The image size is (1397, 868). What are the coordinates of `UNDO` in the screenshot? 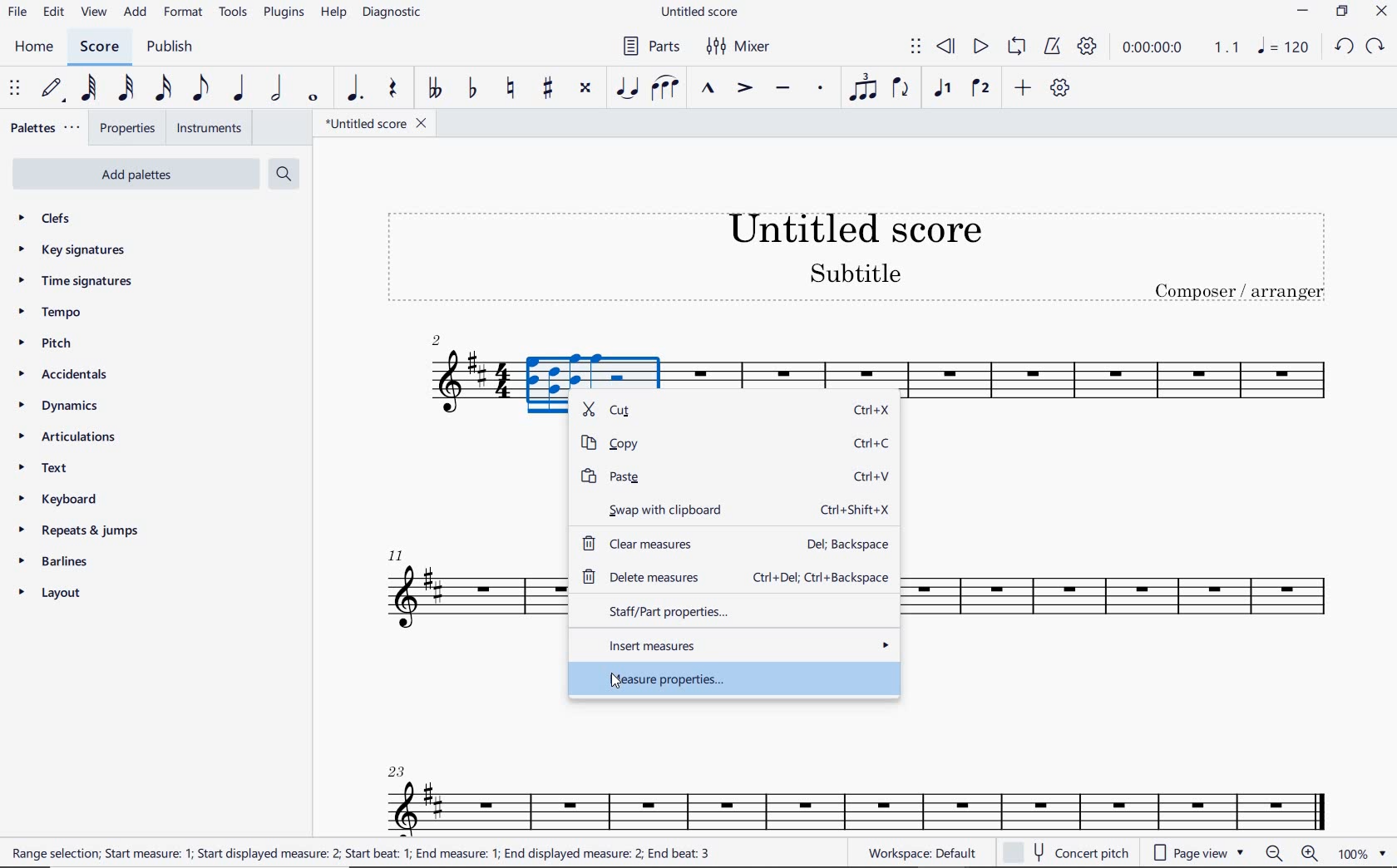 It's located at (1343, 47).